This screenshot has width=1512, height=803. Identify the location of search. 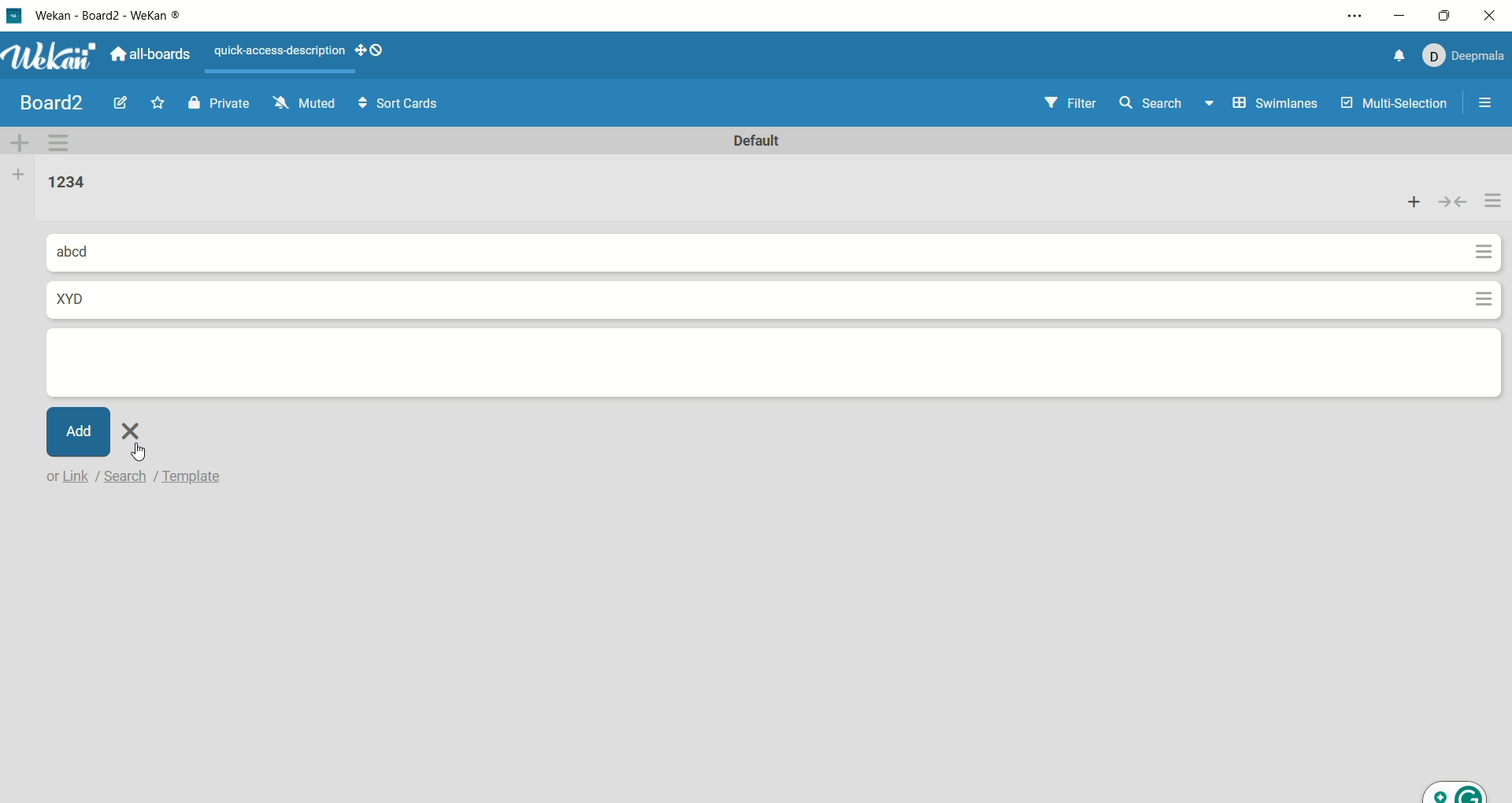
(1170, 101).